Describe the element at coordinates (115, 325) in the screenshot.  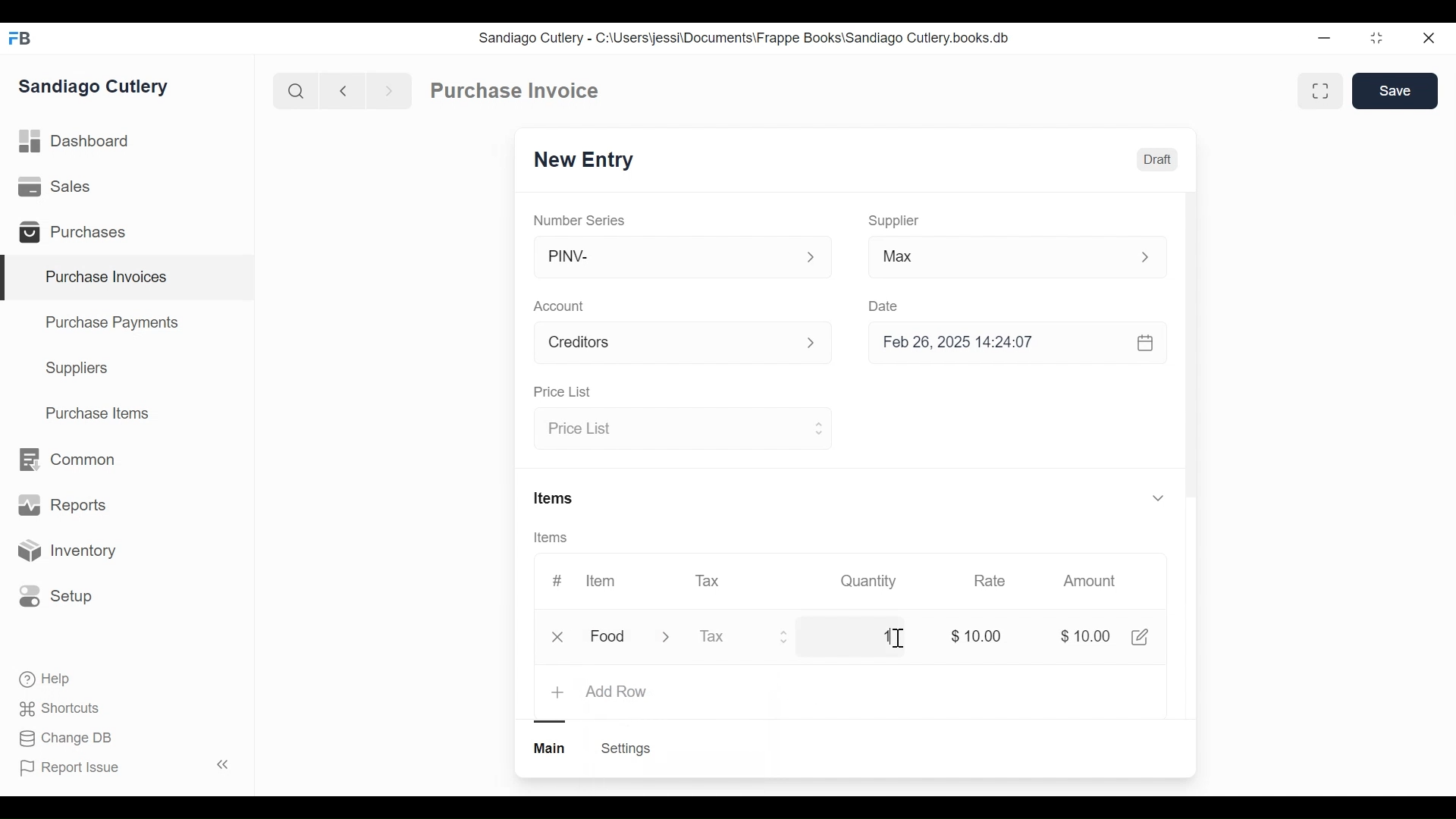
I see `Purchase Payments` at that location.